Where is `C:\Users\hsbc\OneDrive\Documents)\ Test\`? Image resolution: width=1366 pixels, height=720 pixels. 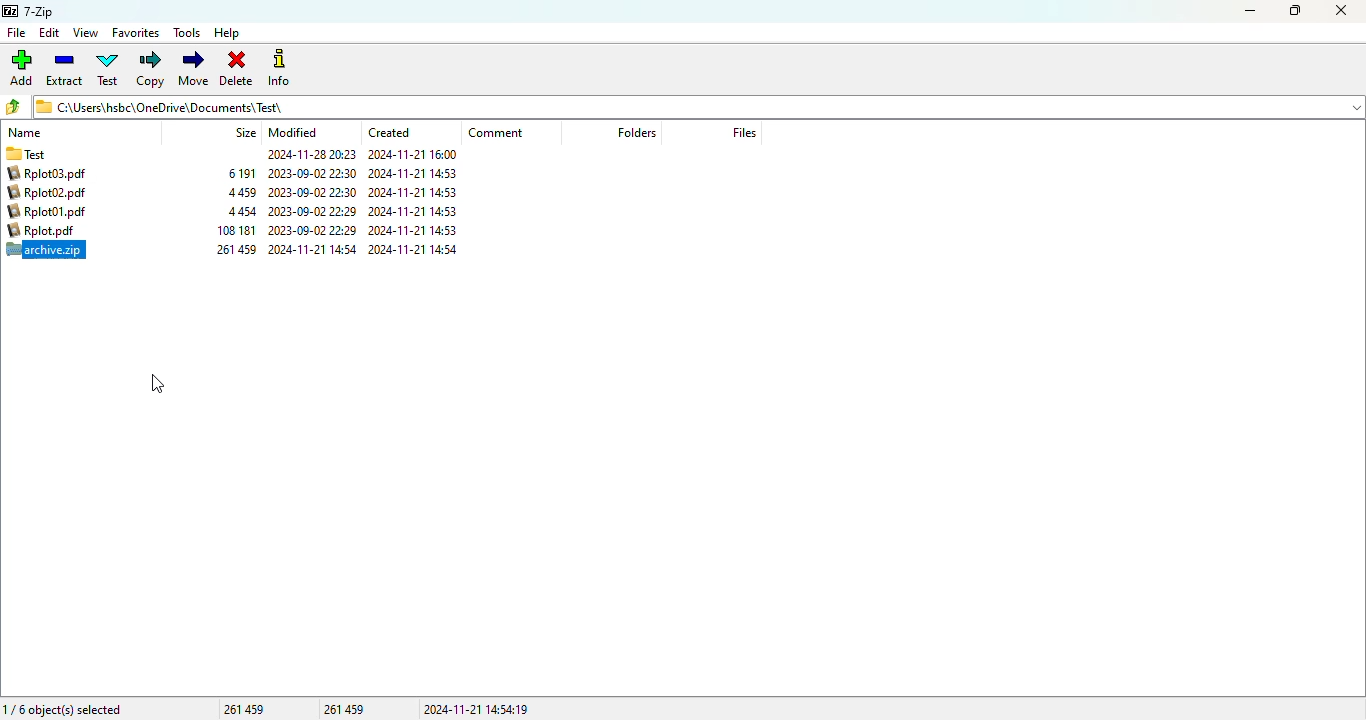
C:\Users\hsbc\OneDrive\Documents)\ Test\ is located at coordinates (681, 106).